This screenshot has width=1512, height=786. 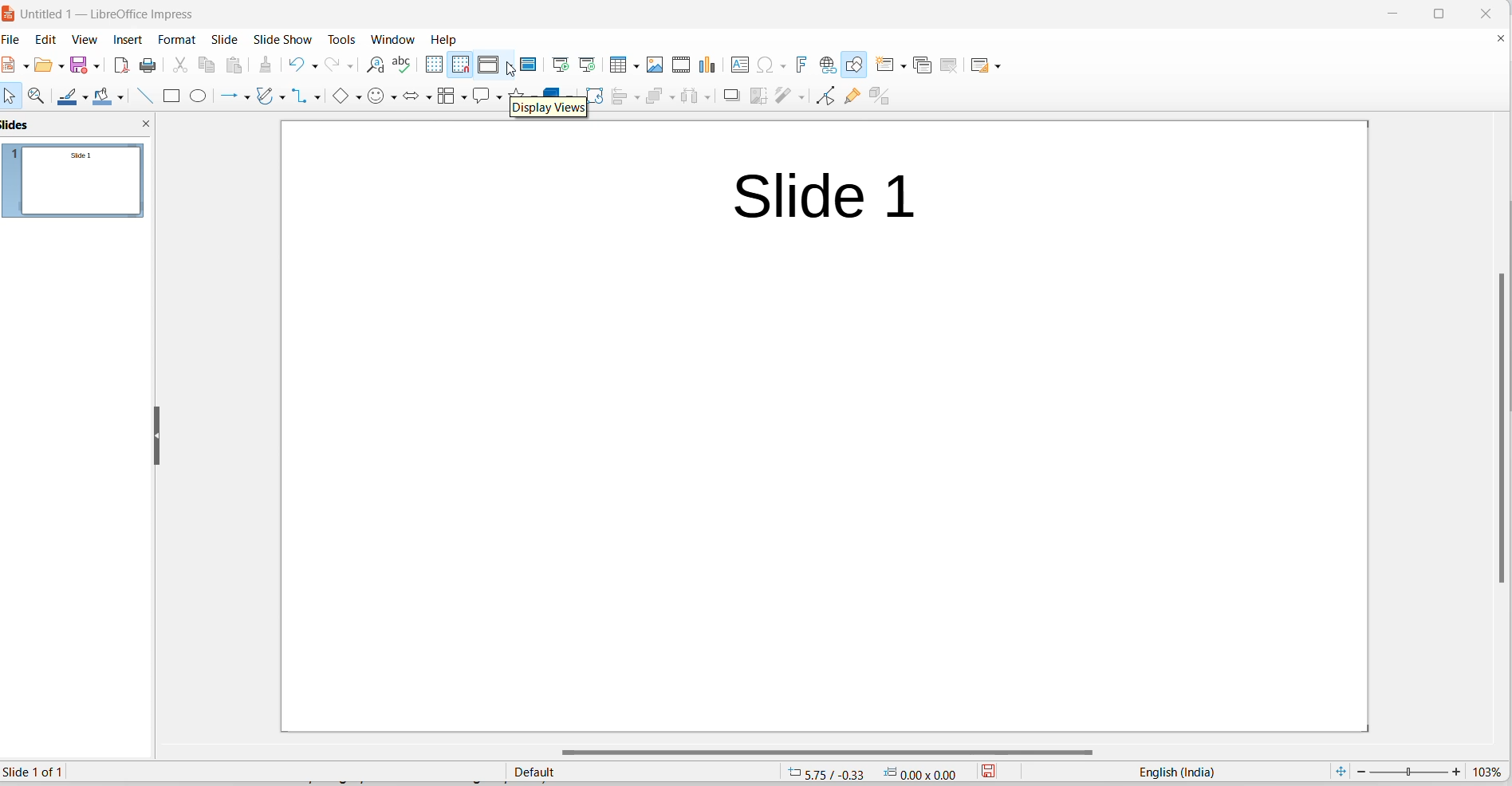 What do you see at coordinates (1444, 14) in the screenshot?
I see `maximize` at bounding box center [1444, 14].